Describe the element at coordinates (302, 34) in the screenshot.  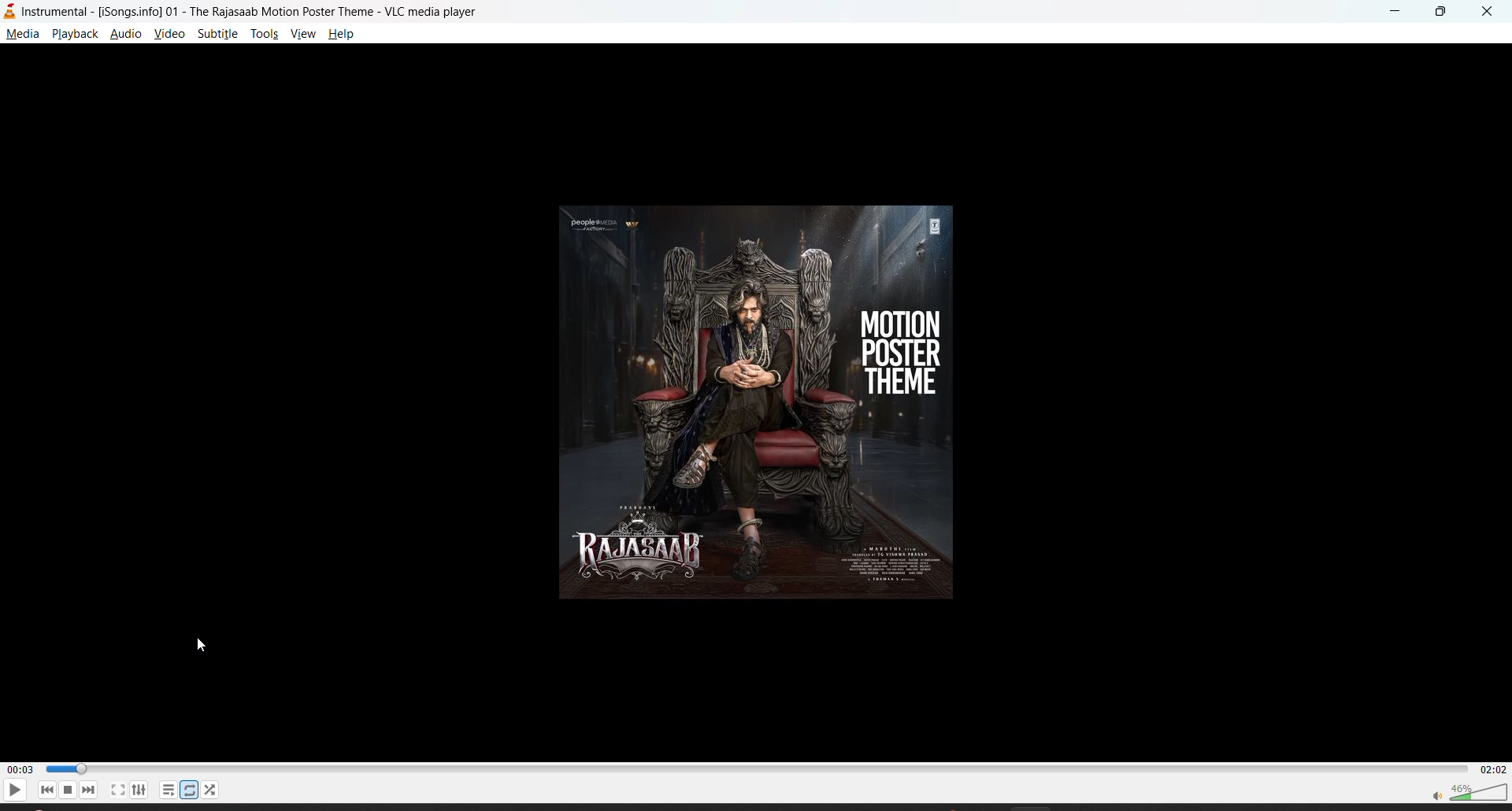
I see `view` at that location.